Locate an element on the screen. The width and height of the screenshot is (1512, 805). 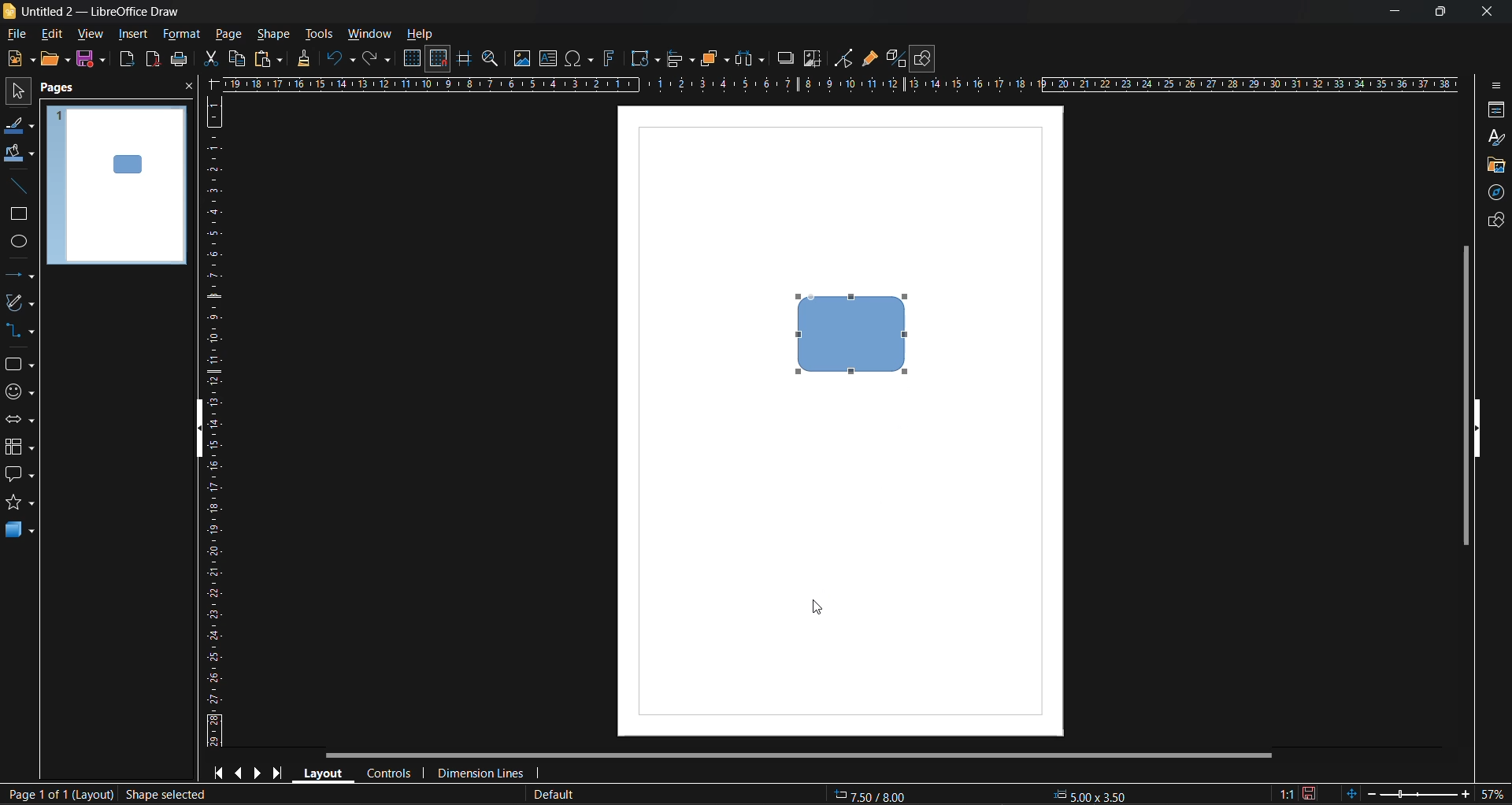
view is located at coordinates (87, 33).